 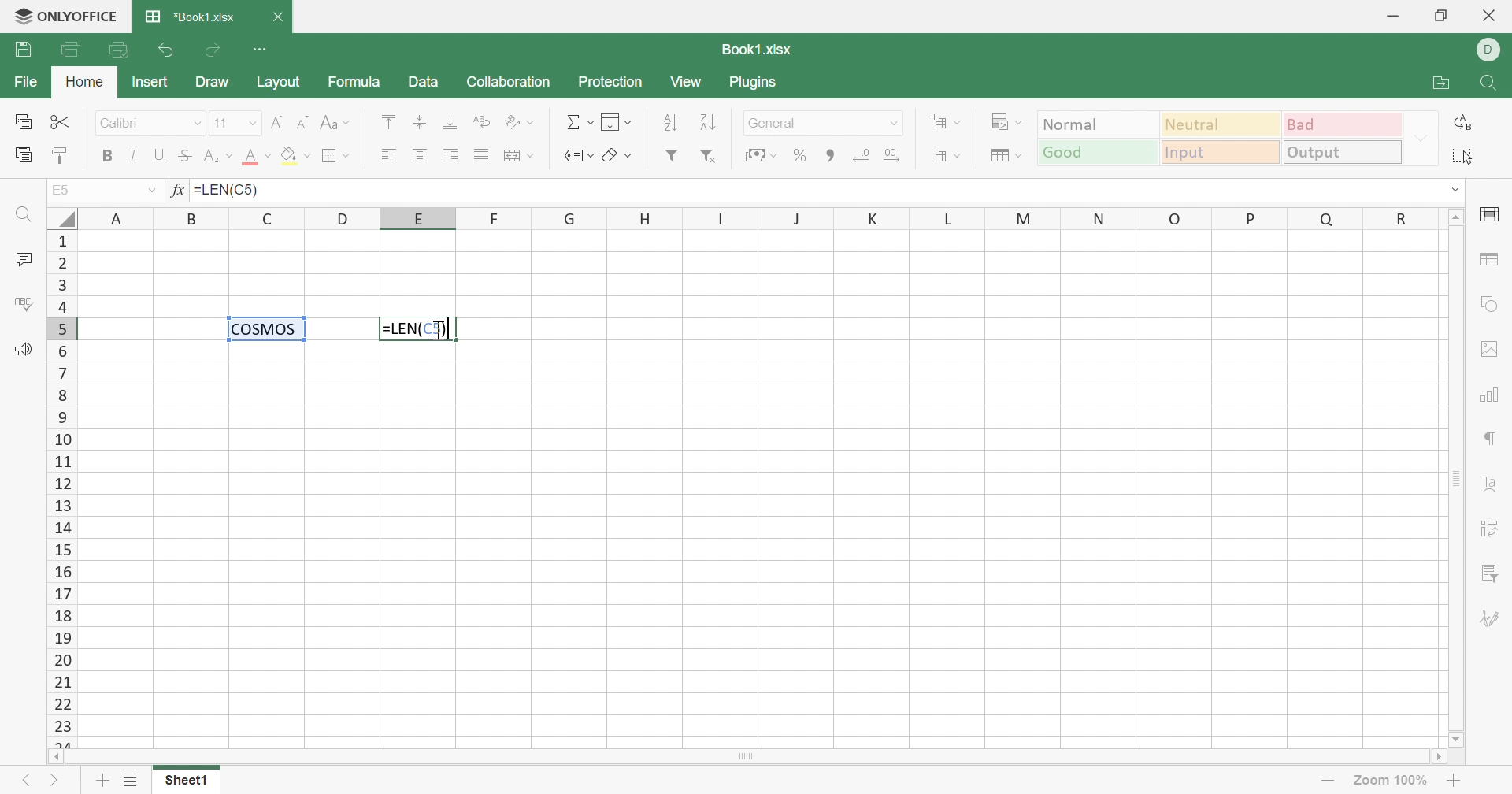 I want to click on Find, so click(x=24, y=216).